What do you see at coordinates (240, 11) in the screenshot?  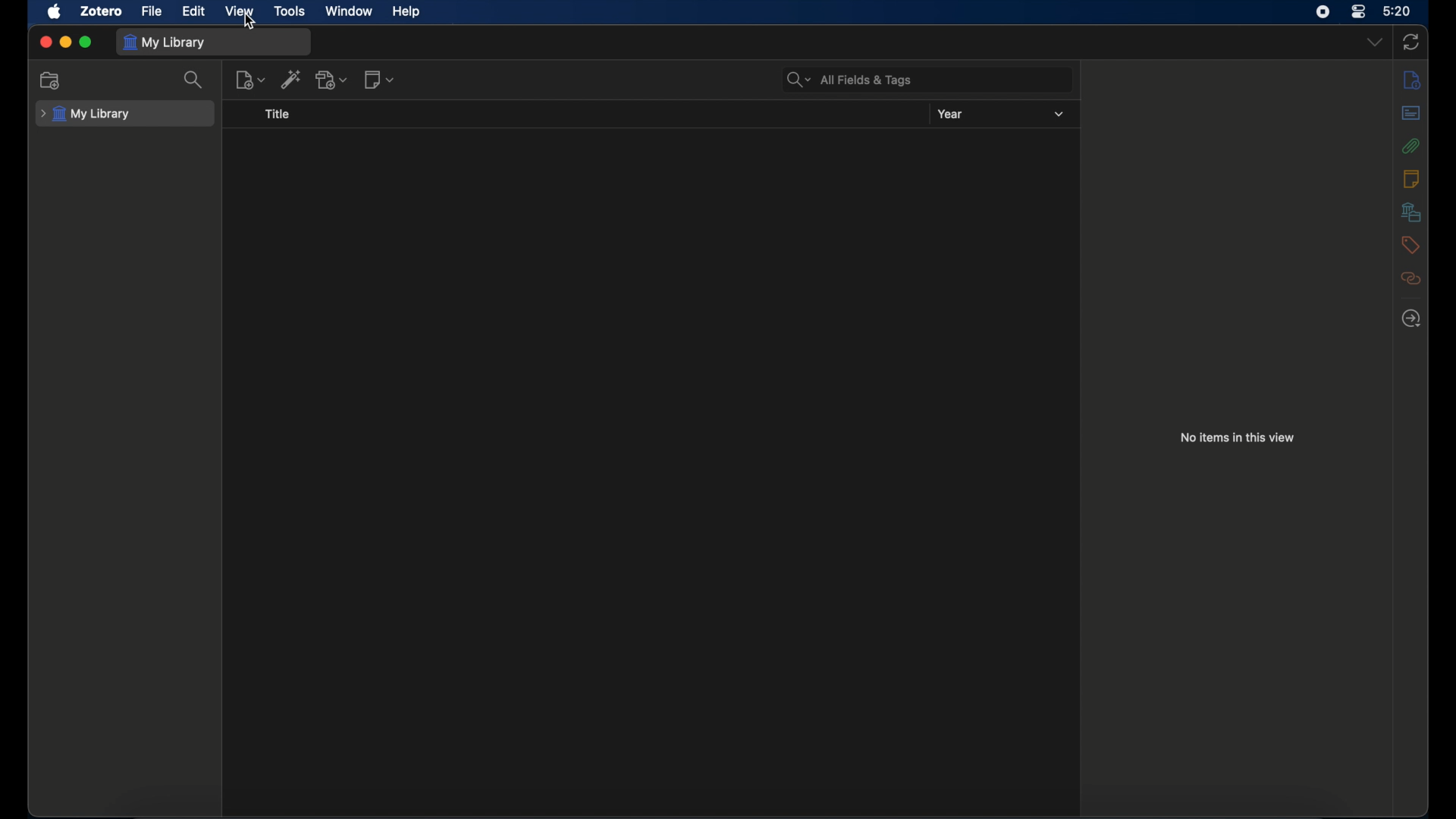 I see `view` at bounding box center [240, 11].